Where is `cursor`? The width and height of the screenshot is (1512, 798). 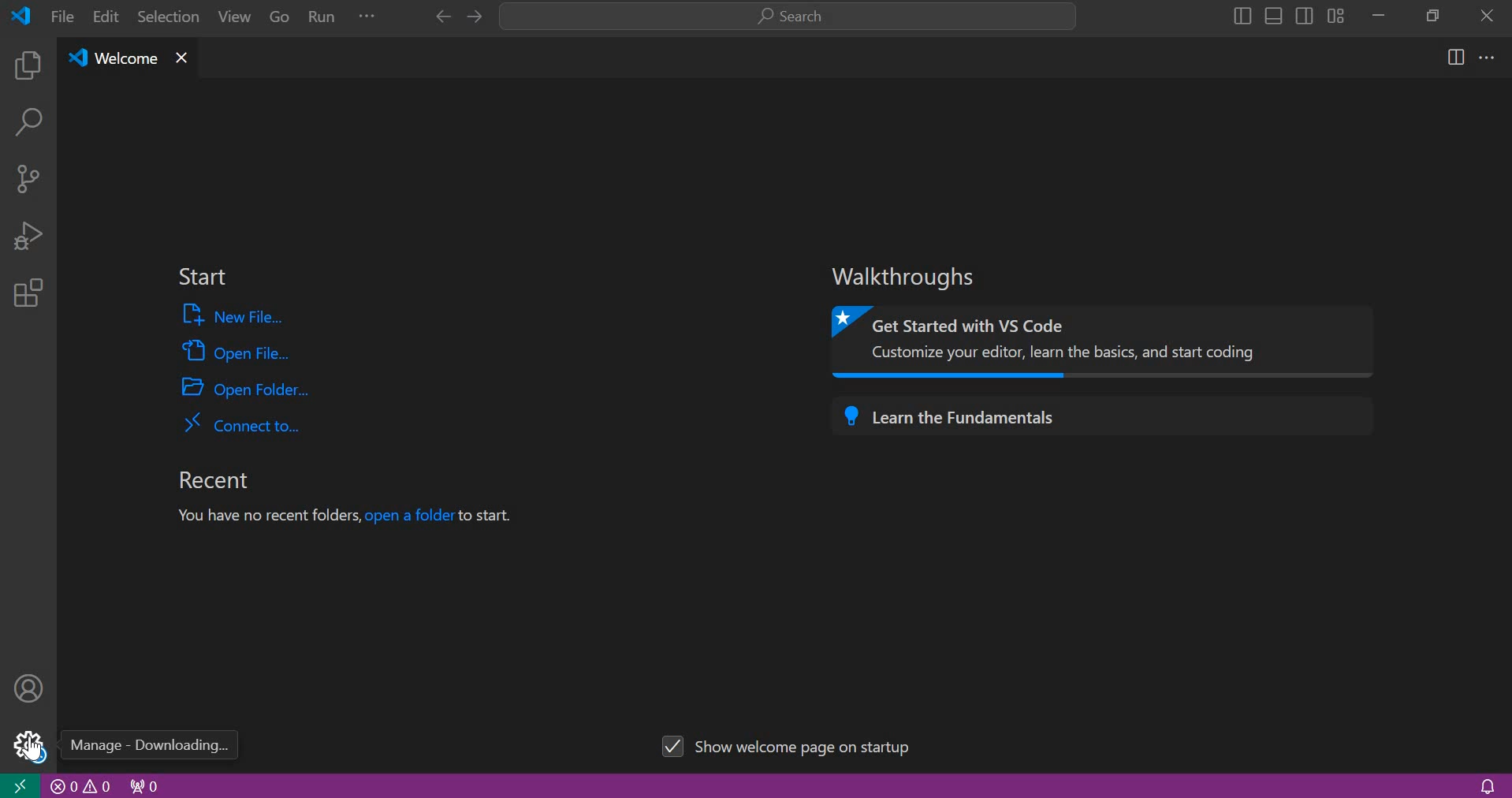
cursor is located at coordinates (32, 748).